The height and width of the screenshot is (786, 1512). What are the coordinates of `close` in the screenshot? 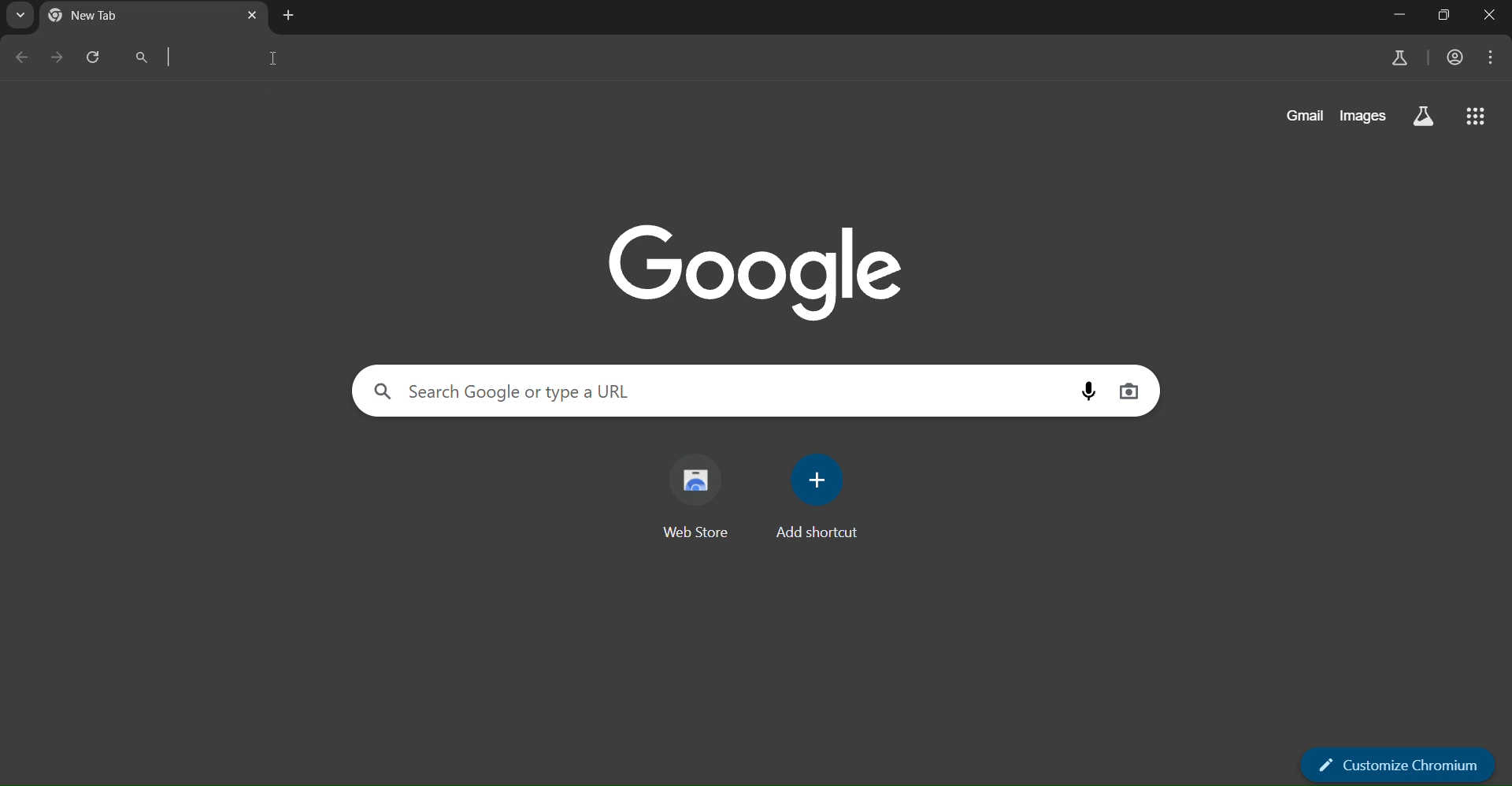 It's located at (1492, 14).